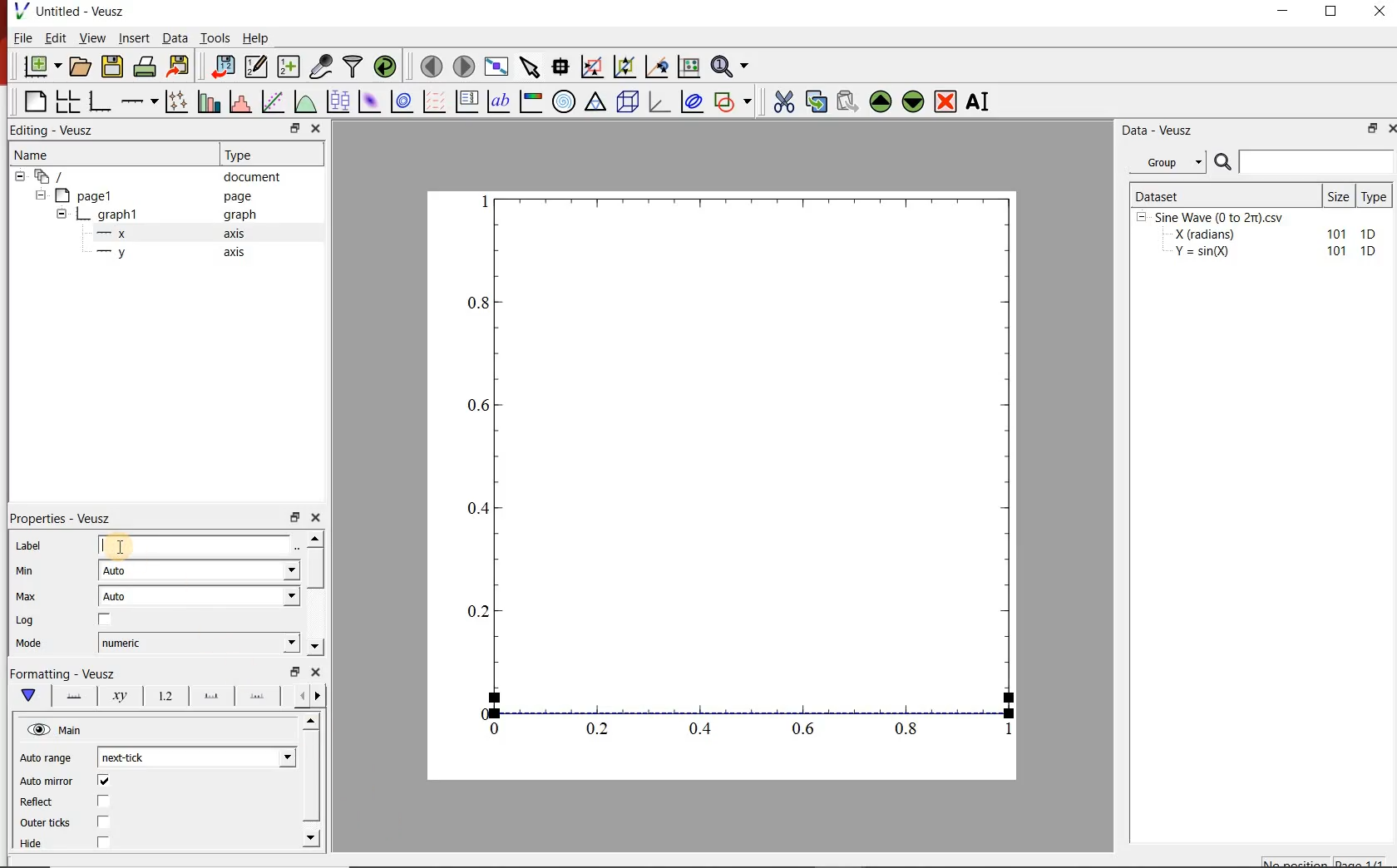 This screenshot has width=1397, height=868. I want to click on move down, so click(914, 103).